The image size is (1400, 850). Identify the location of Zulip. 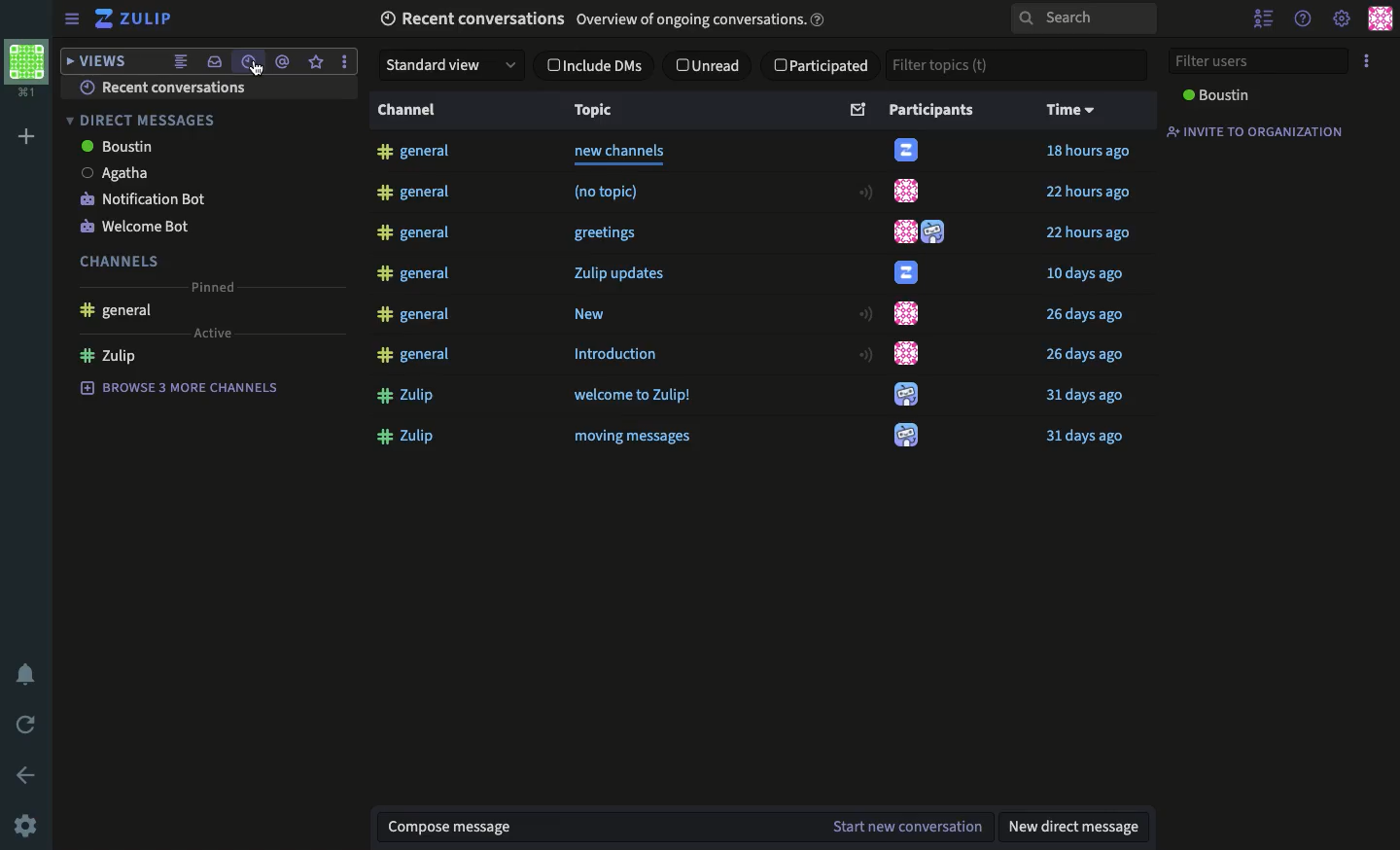
(135, 18).